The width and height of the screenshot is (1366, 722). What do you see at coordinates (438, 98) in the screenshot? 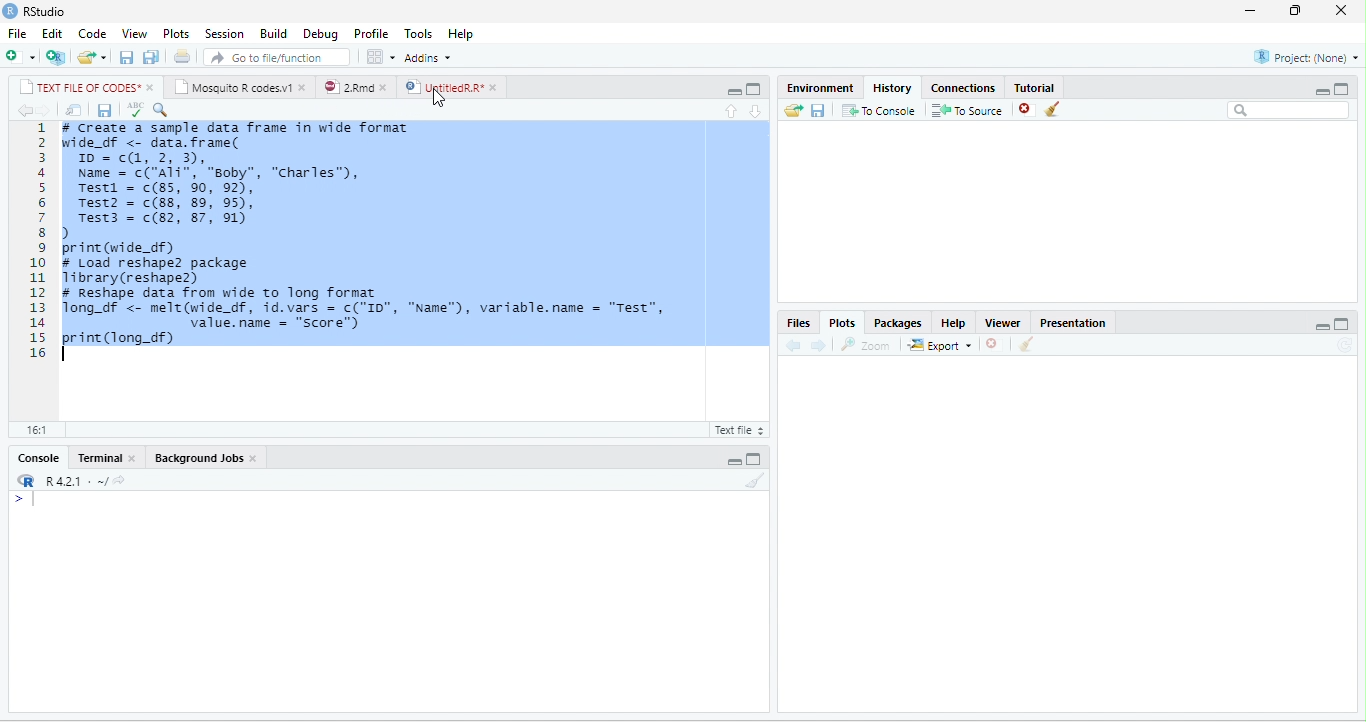
I see `cursor` at bounding box center [438, 98].